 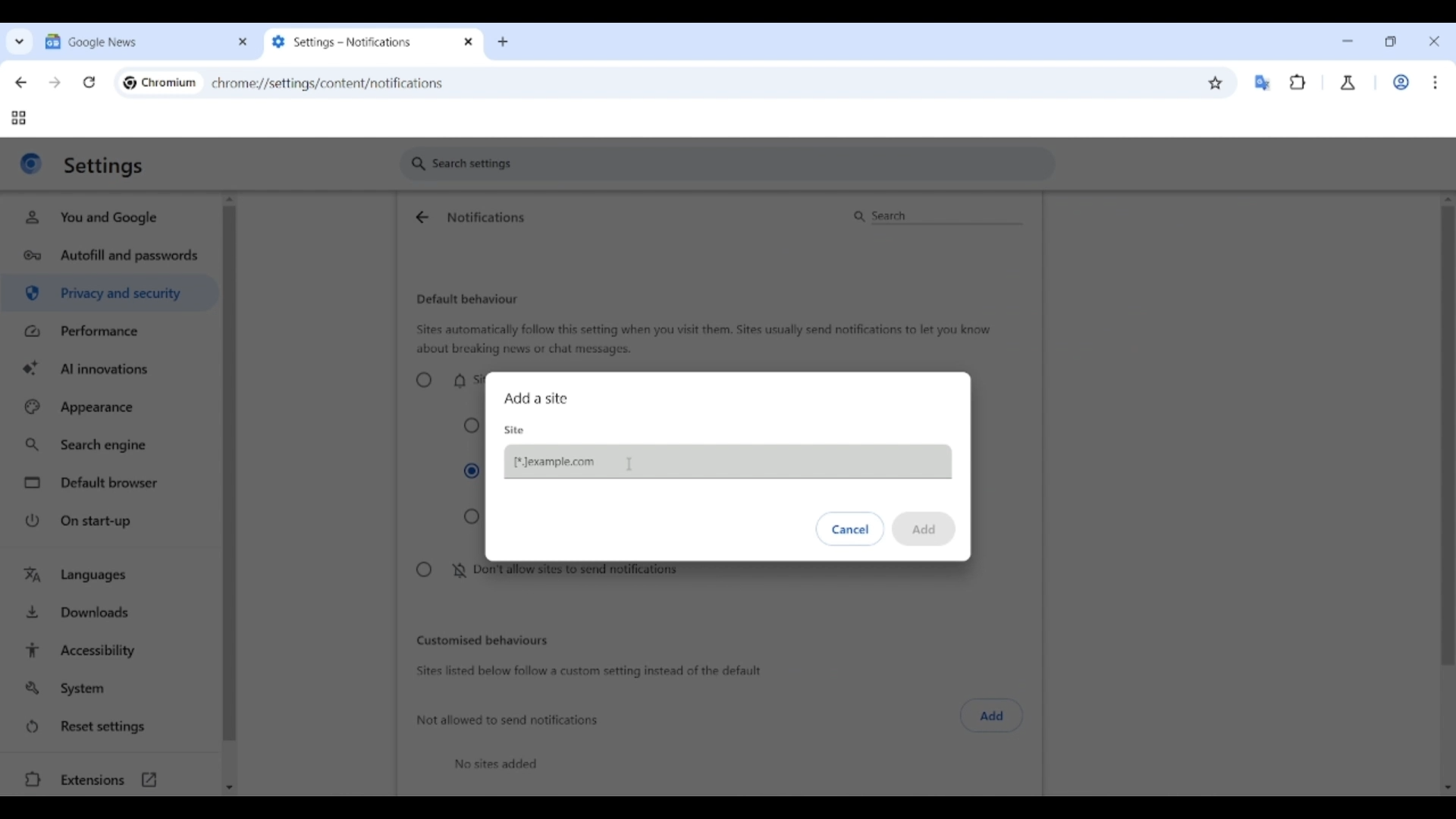 What do you see at coordinates (328, 82) in the screenshot?
I see `chromey//settings/content/notifications` at bounding box center [328, 82].